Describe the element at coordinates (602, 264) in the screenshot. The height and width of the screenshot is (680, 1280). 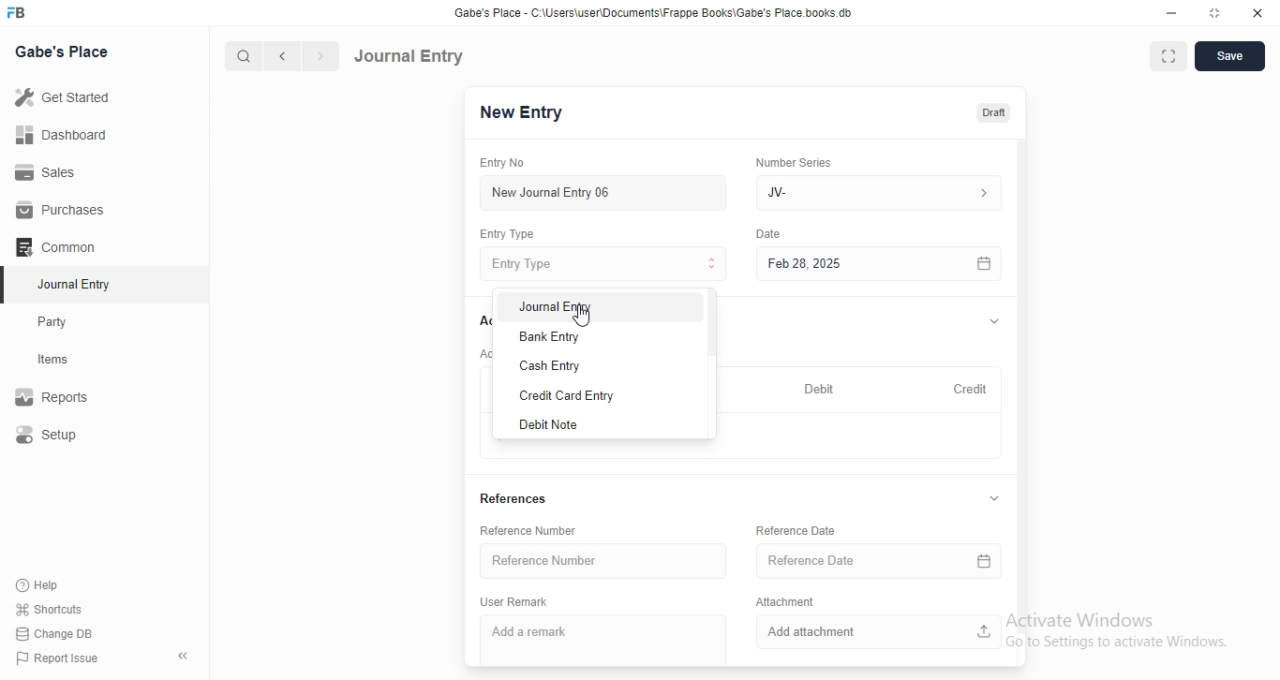
I see `Entry Type` at that location.